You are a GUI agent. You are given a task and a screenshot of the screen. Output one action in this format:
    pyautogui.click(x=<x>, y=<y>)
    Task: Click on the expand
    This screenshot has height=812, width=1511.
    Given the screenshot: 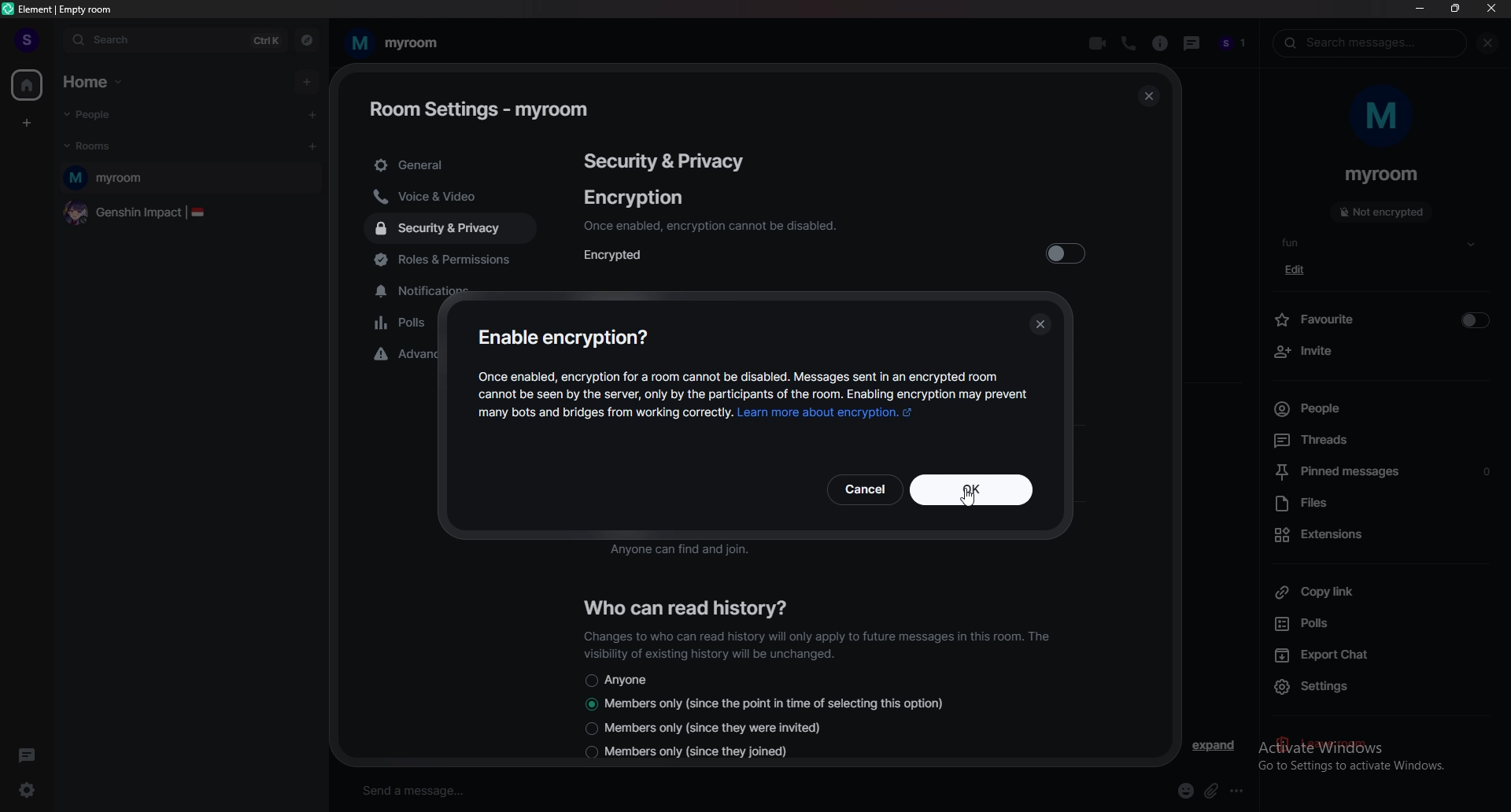 What is the action you would take?
    pyautogui.click(x=1215, y=745)
    